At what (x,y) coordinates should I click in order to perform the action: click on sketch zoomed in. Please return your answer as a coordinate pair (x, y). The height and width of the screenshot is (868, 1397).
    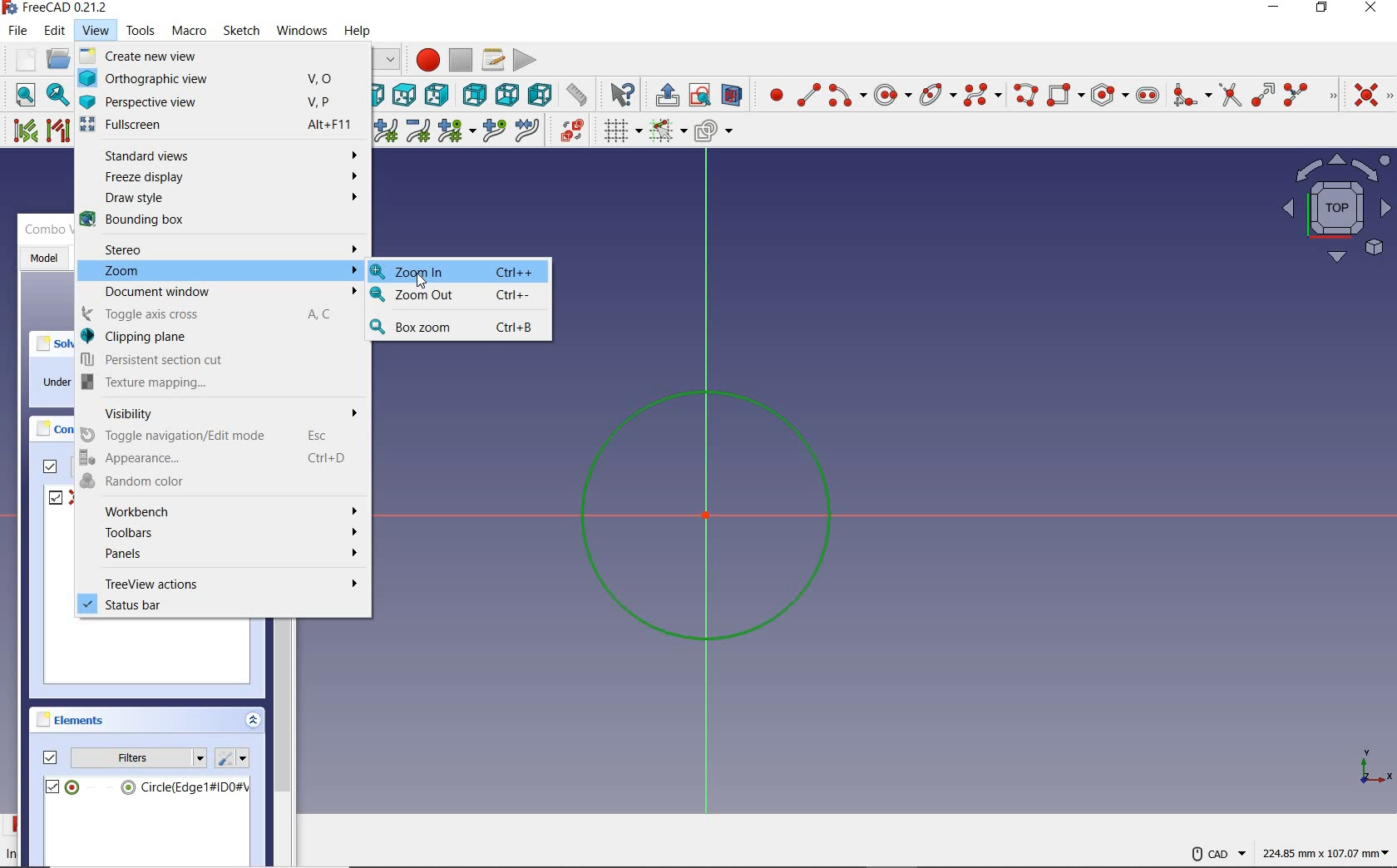
    Looking at the image, I should click on (702, 513).